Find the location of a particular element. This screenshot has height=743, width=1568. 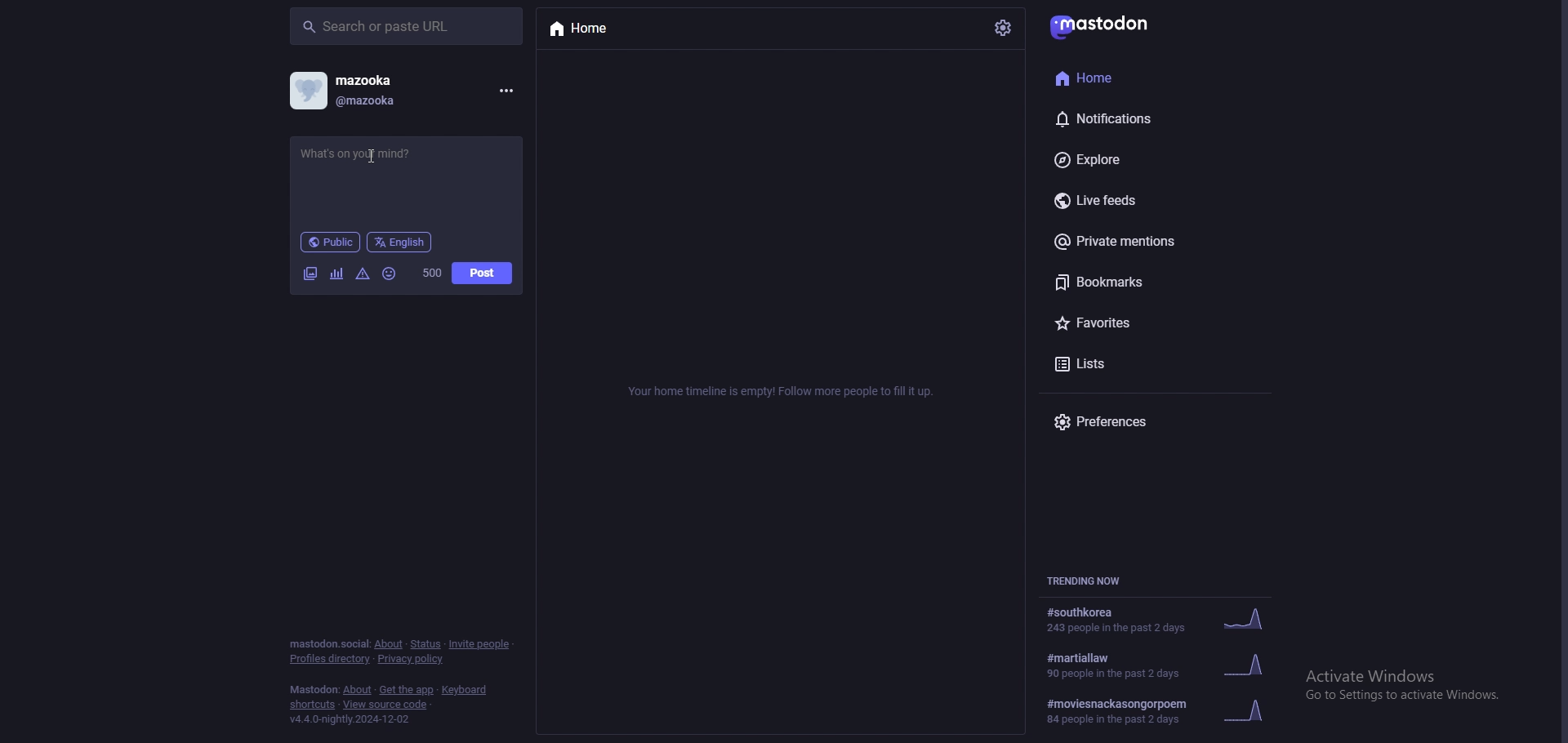

profiles directory is located at coordinates (331, 659).